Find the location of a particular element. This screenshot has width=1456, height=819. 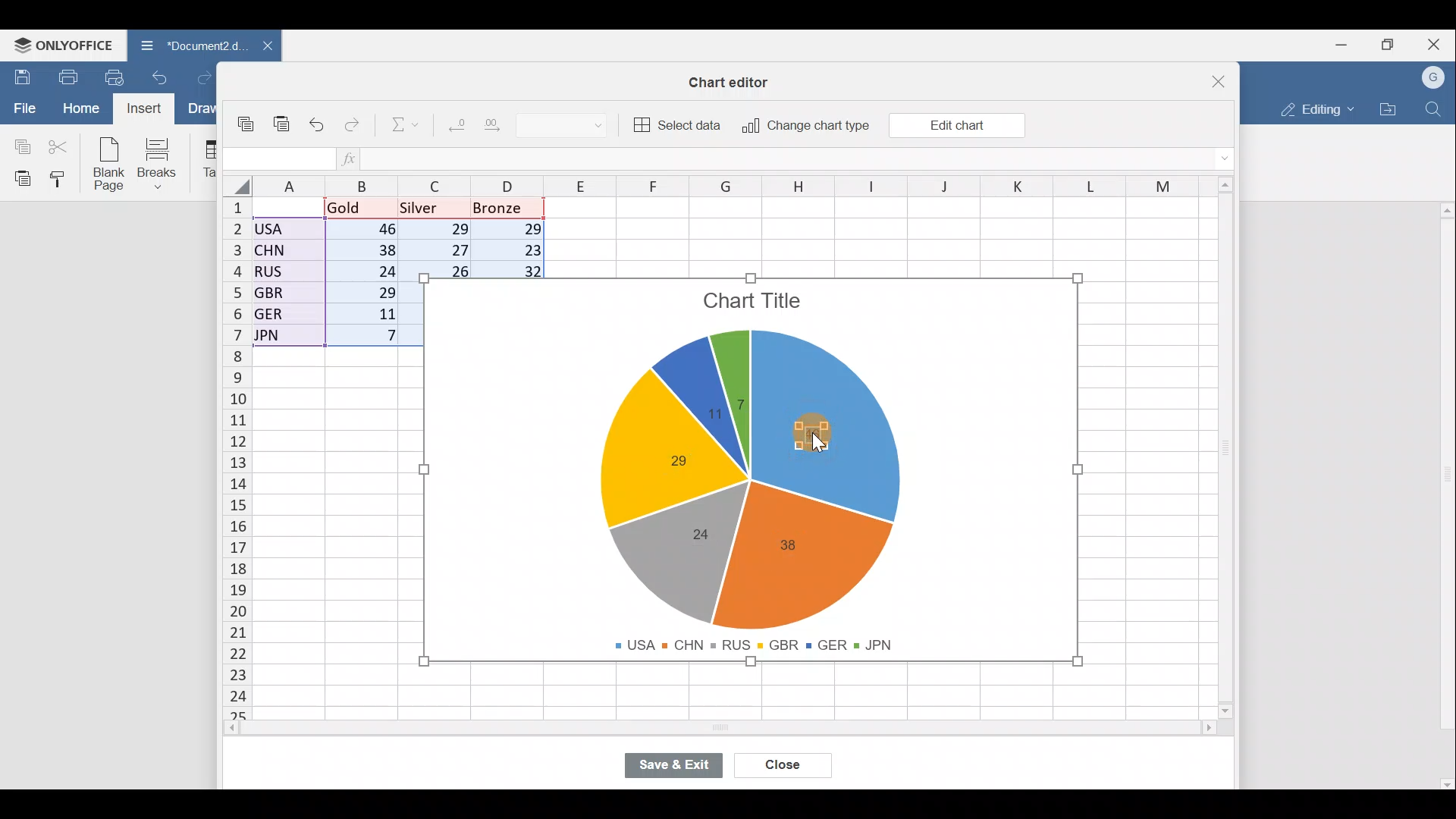

File is located at coordinates (23, 107).